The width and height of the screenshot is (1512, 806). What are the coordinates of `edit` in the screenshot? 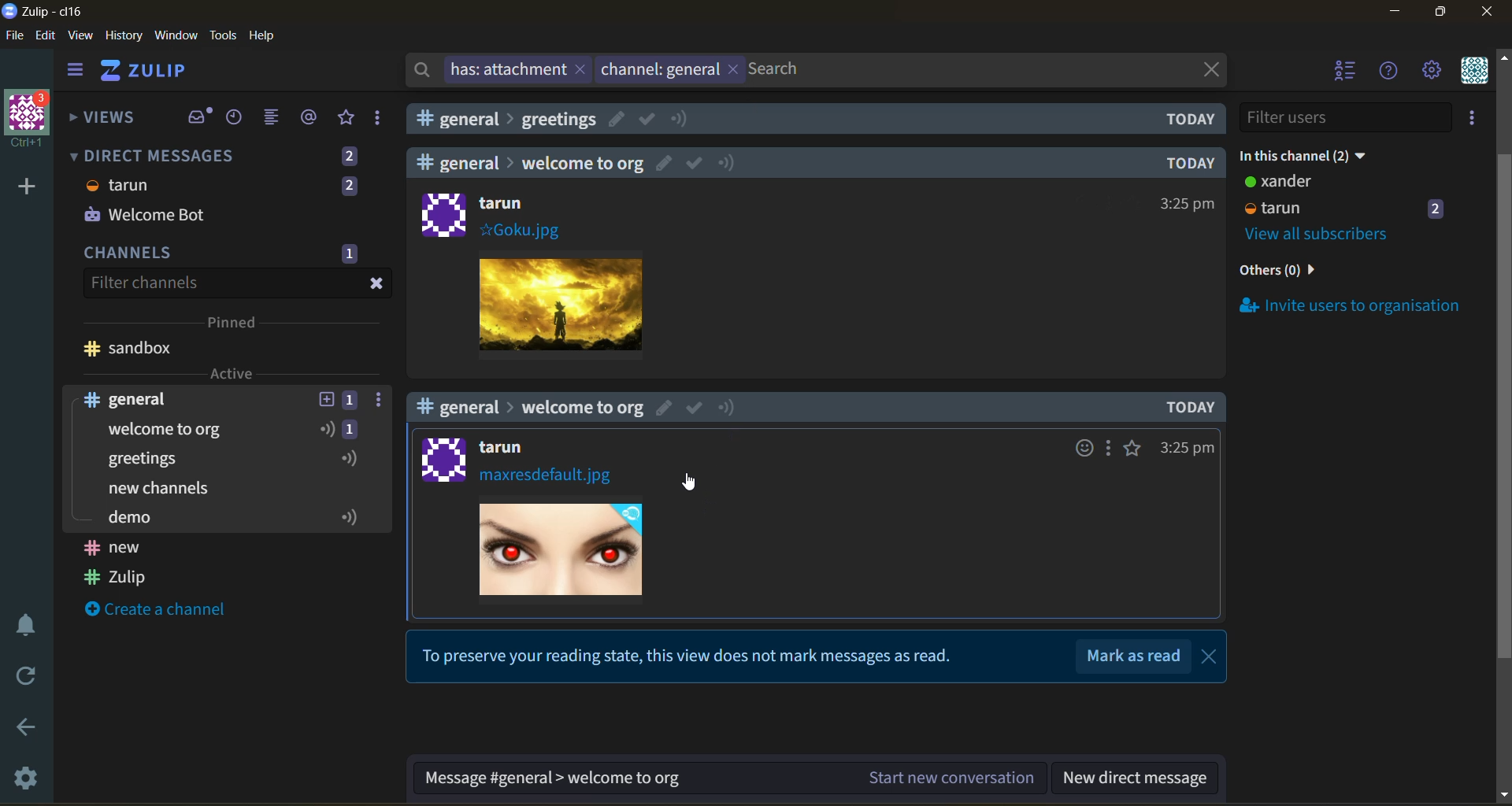 It's located at (614, 120).